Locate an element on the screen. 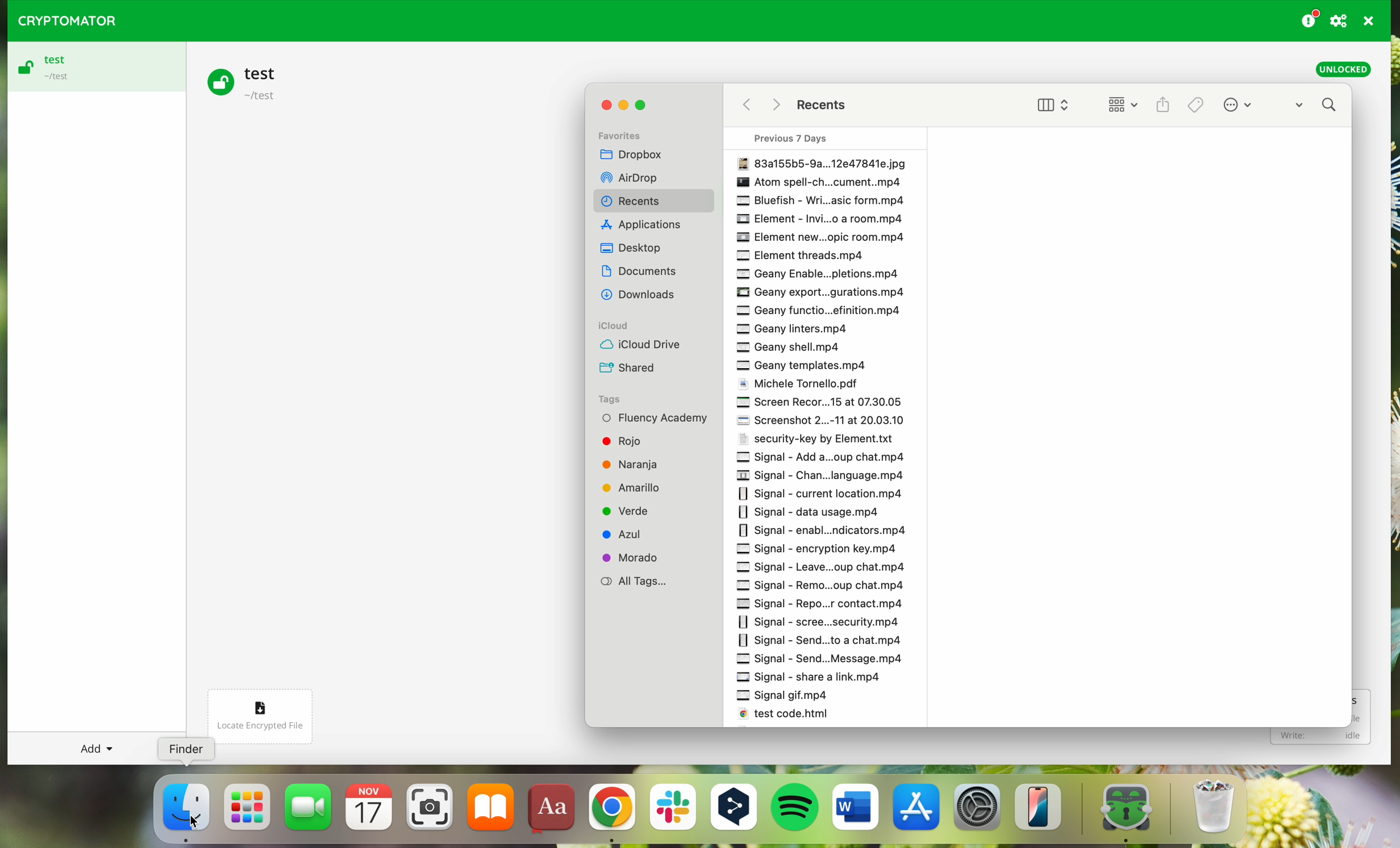 This screenshot has height=848, width=1400. search is located at coordinates (1332, 106).